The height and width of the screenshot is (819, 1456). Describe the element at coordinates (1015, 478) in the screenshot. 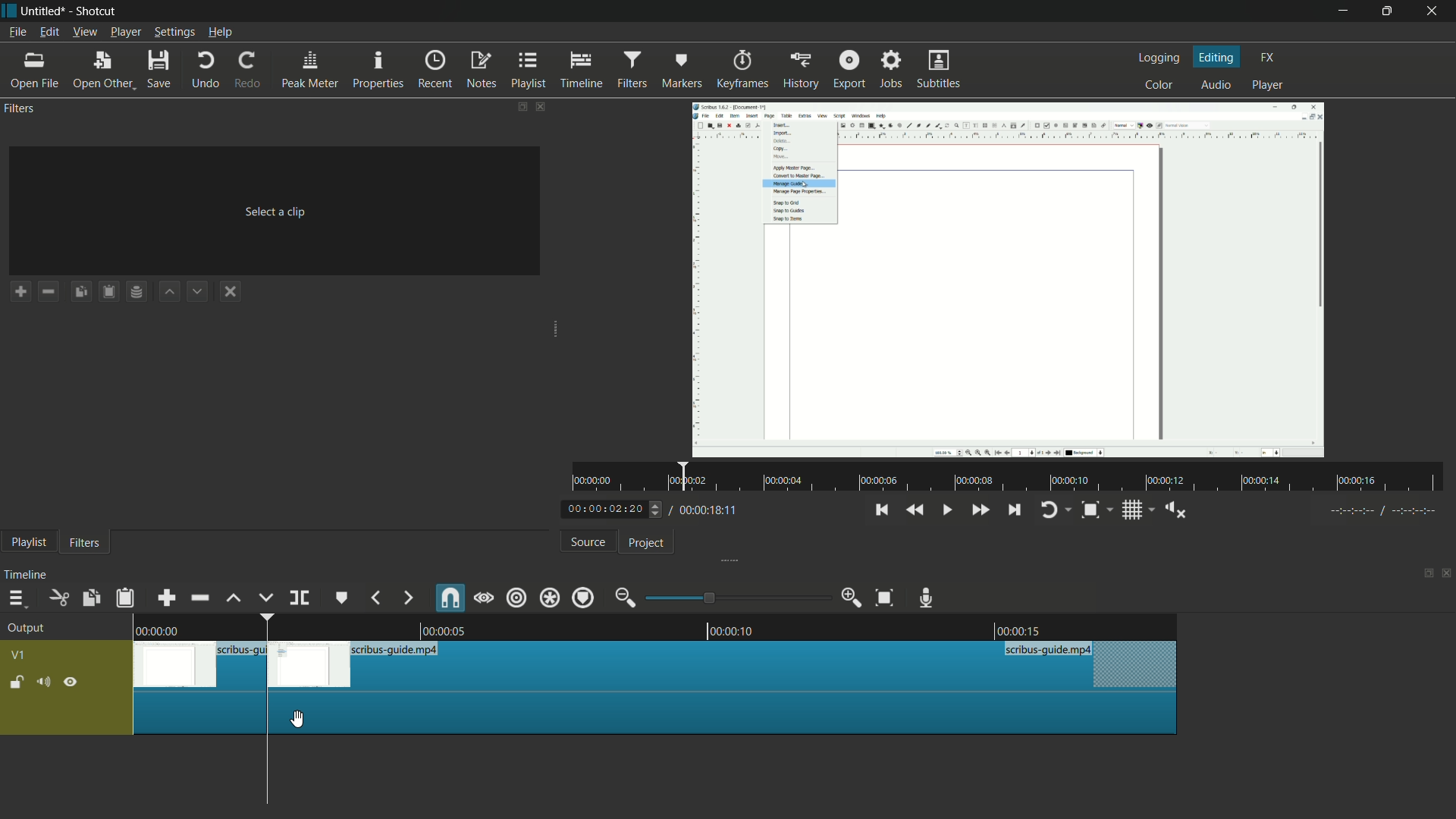

I see `time` at that location.